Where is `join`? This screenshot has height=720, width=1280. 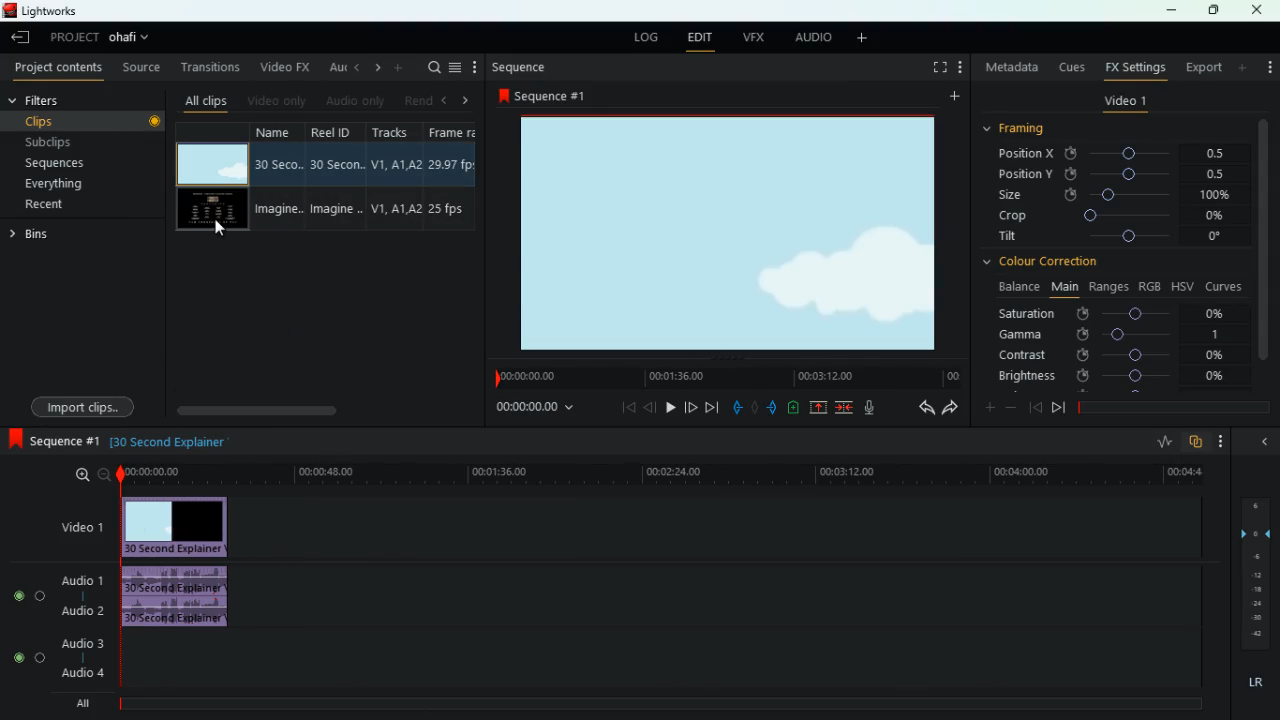 join is located at coordinates (843, 408).